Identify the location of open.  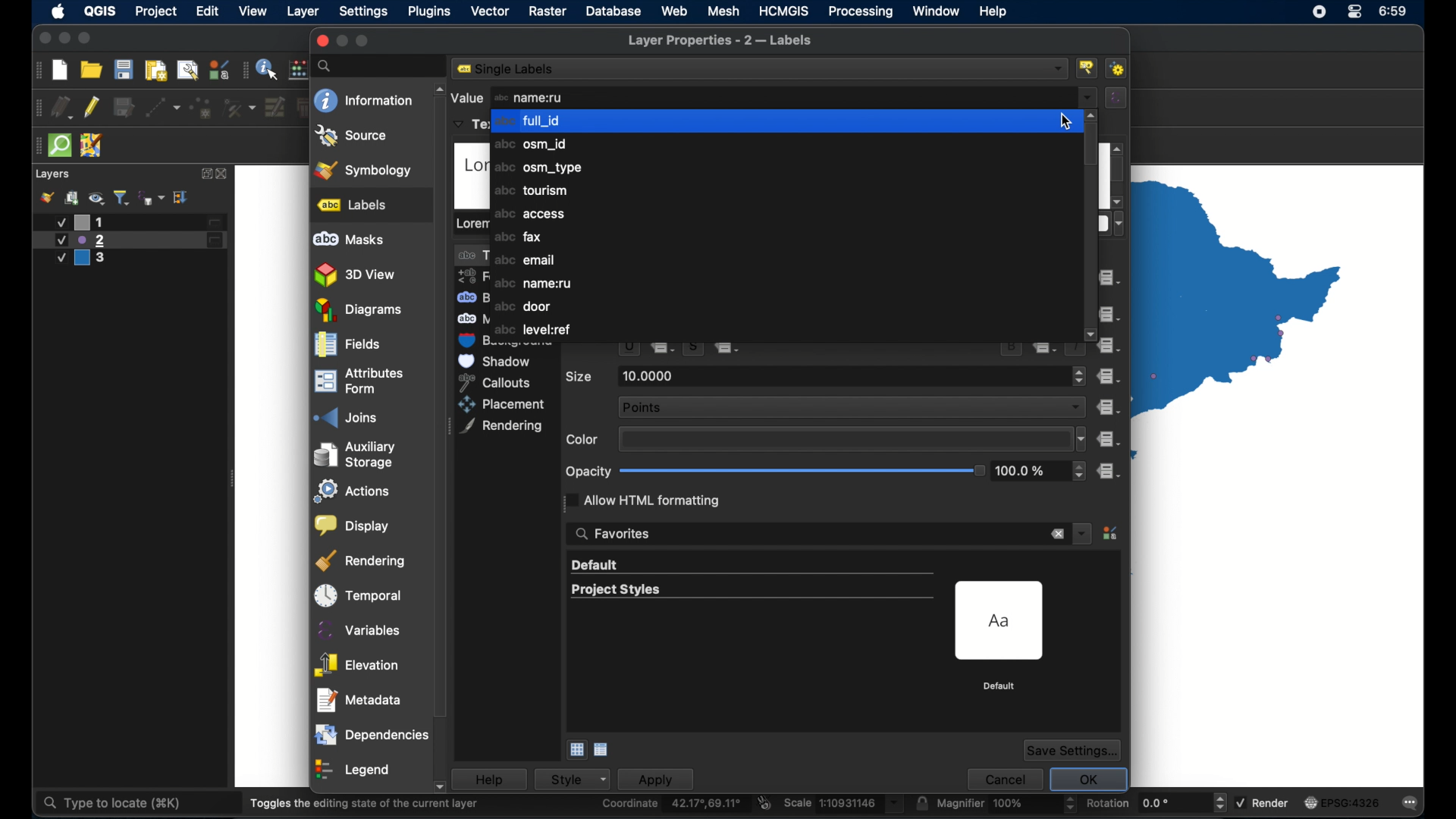
(91, 69).